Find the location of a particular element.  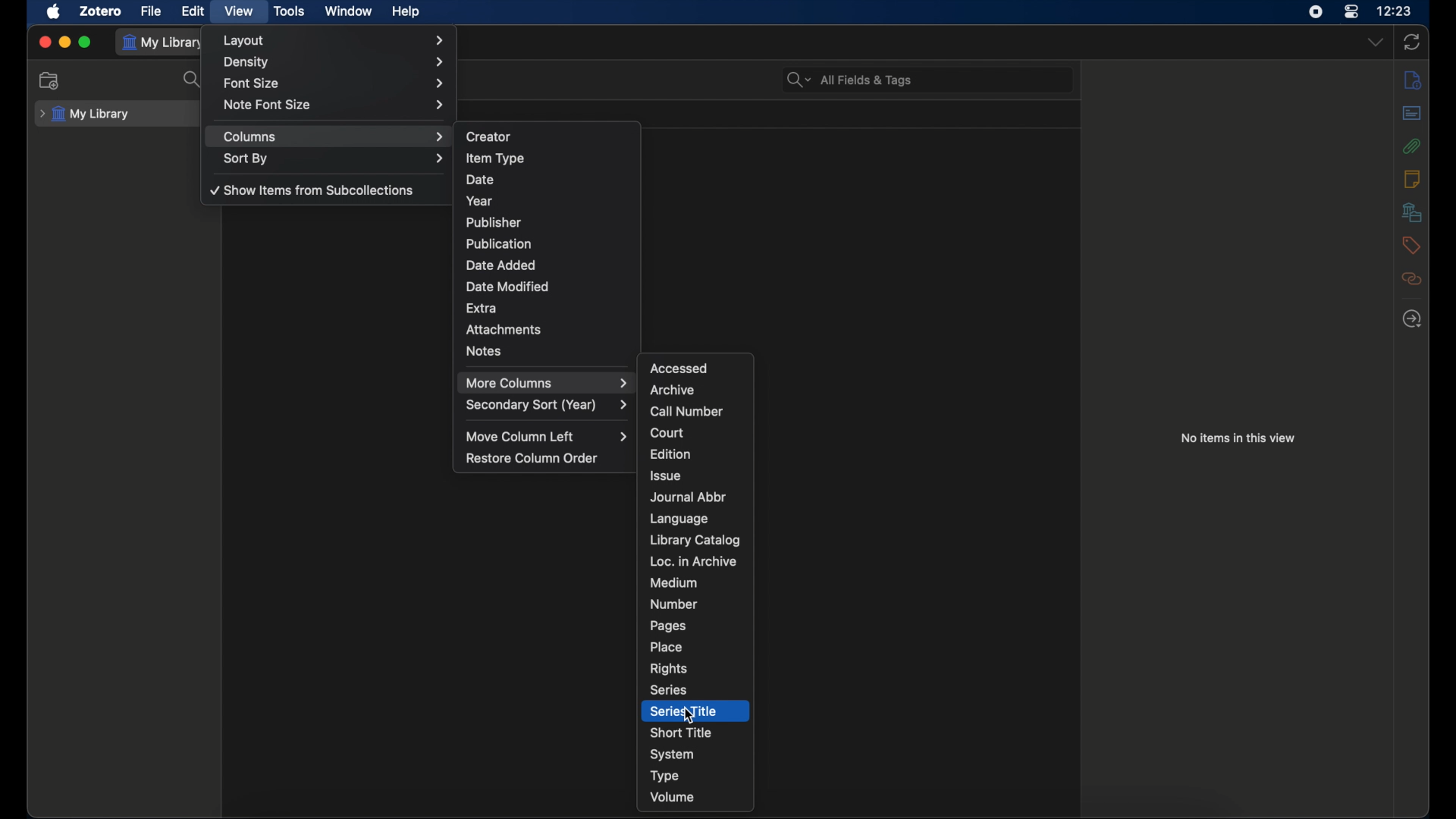

number is located at coordinates (674, 604).